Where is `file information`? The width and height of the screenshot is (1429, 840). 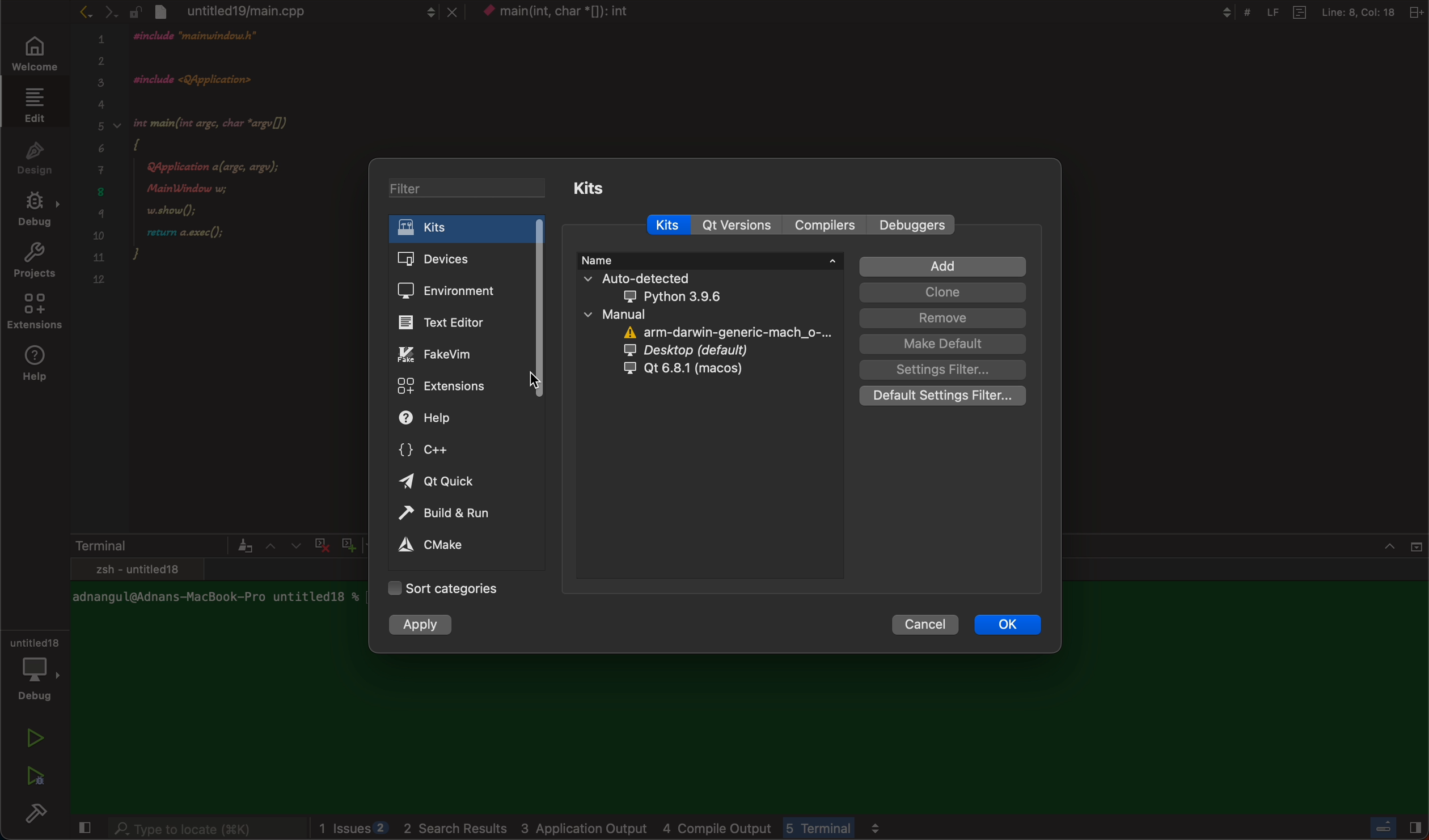 file information is located at coordinates (1313, 12).